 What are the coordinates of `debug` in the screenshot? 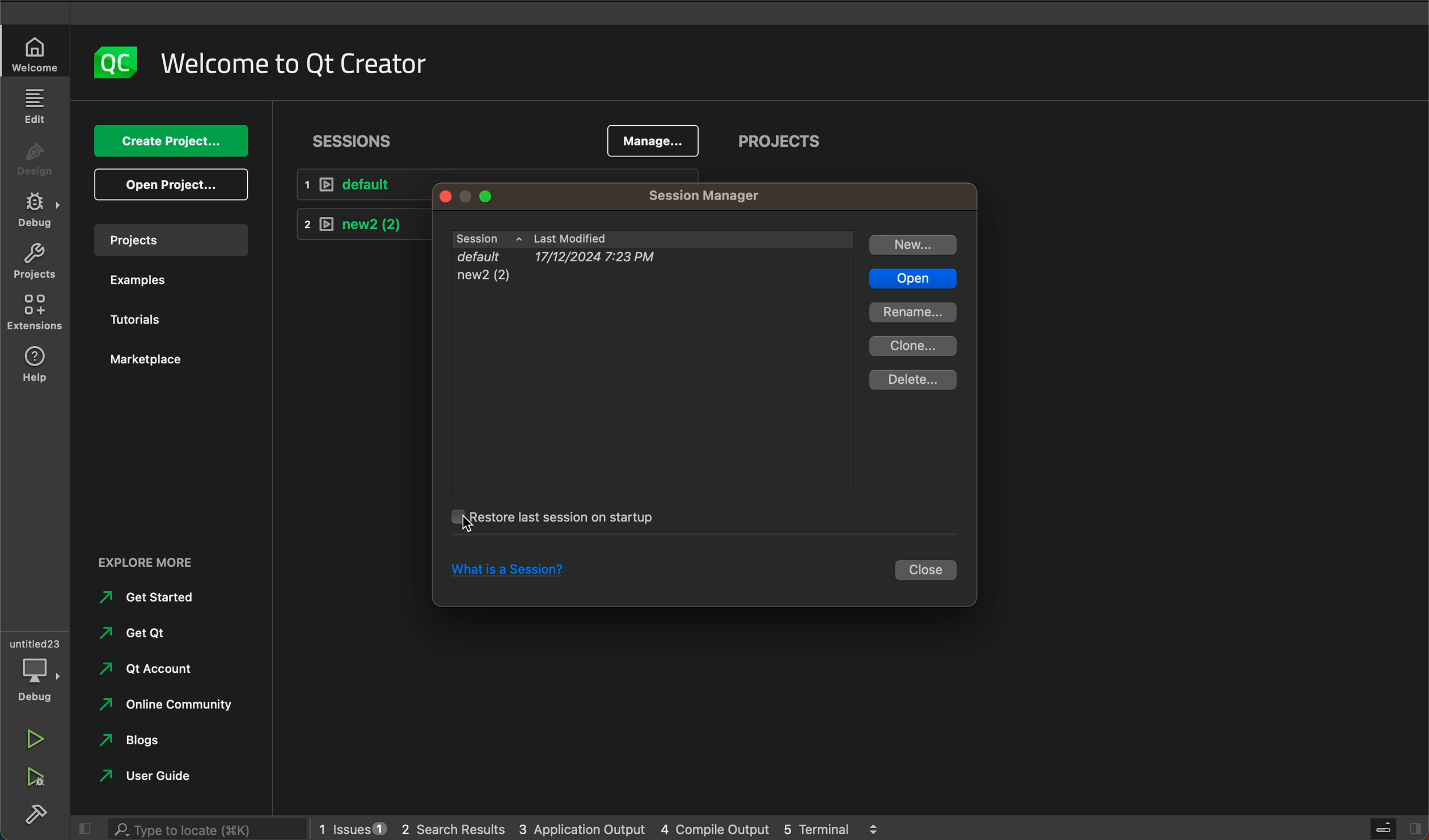 It's located at (37, 209).